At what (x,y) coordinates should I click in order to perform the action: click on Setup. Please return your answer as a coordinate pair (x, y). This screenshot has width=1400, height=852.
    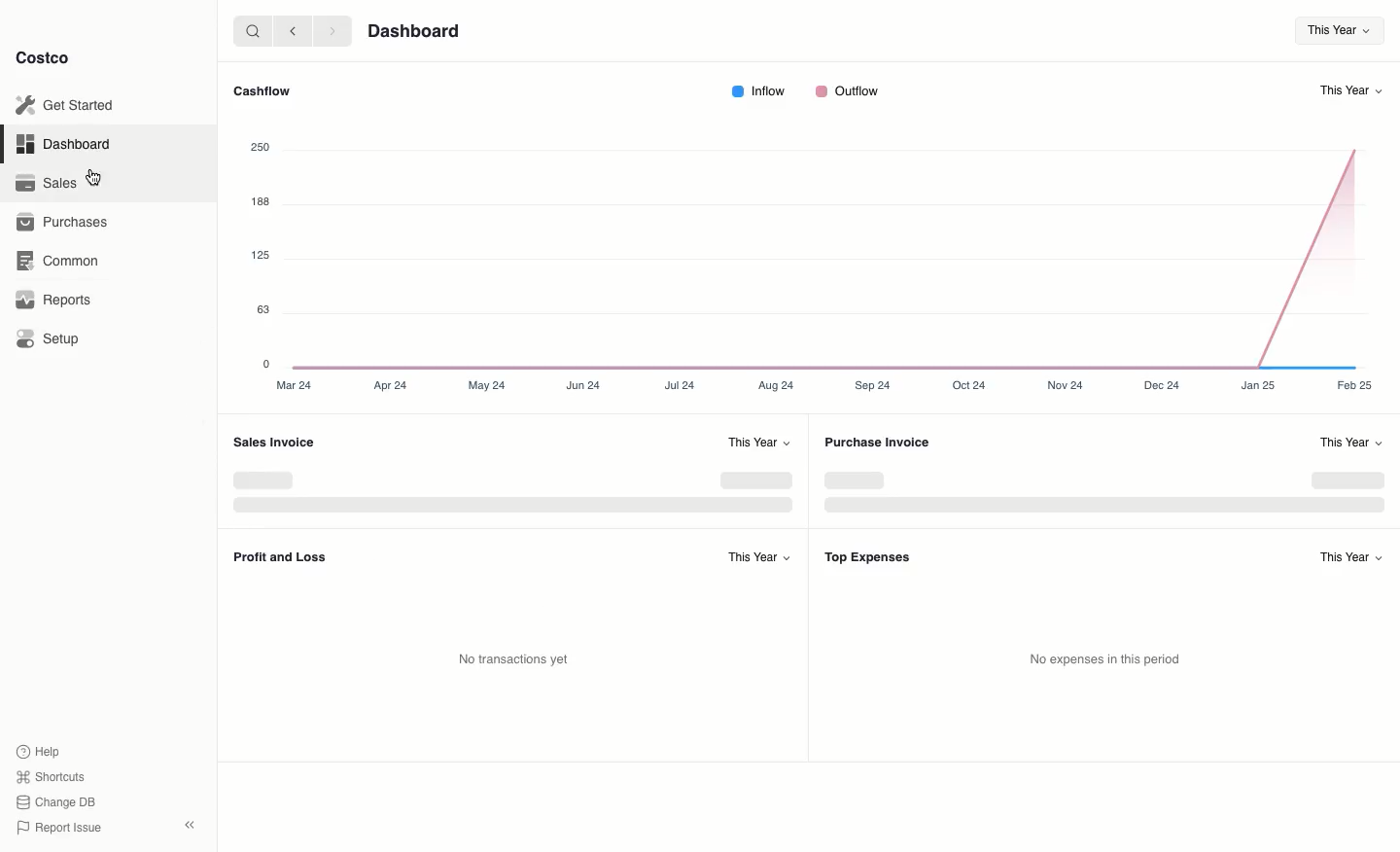
    Looking at the image, I should click on (50, 339).